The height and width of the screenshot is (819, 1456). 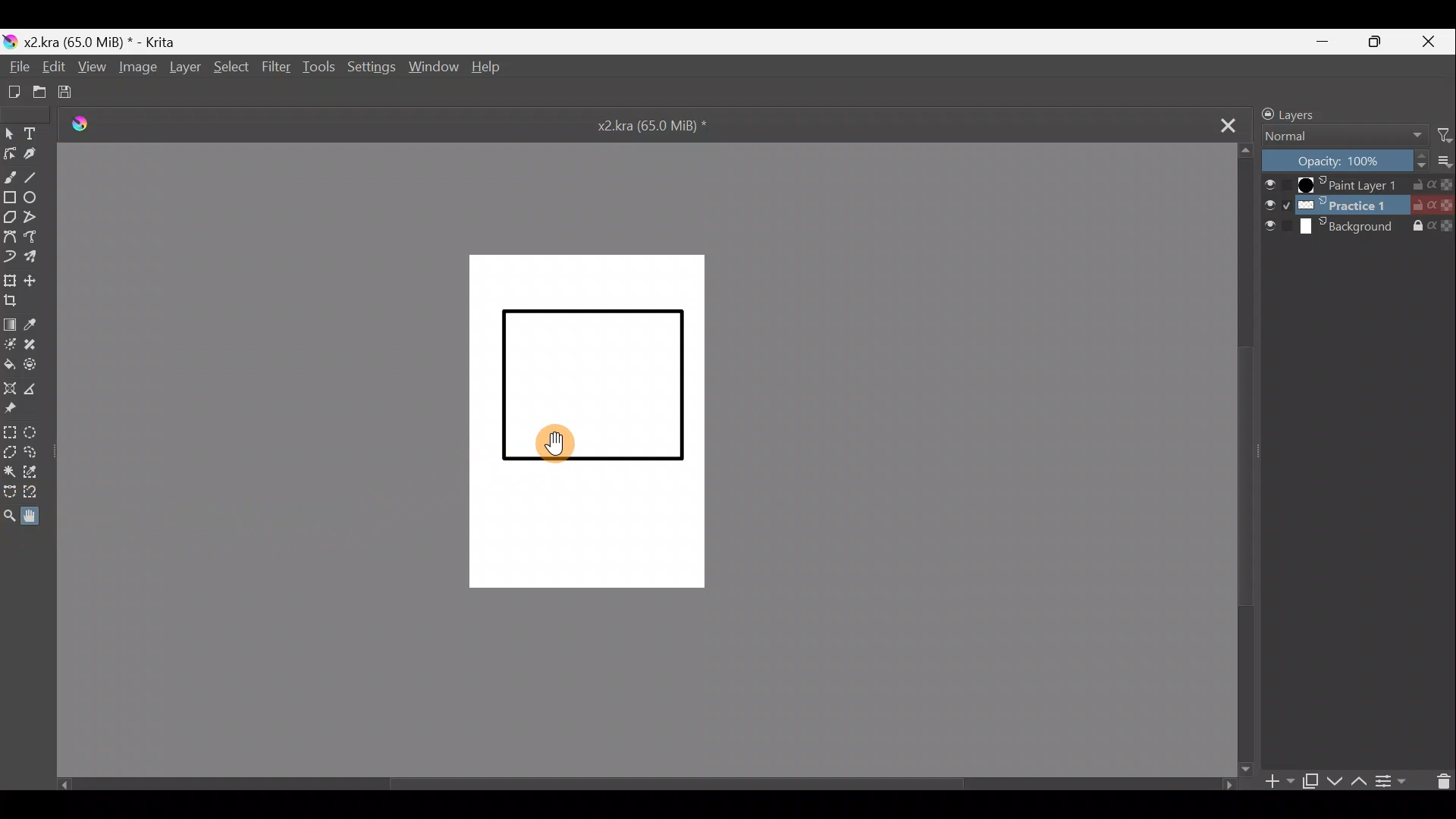 I want to click on Window, so click(x=431, y=68).